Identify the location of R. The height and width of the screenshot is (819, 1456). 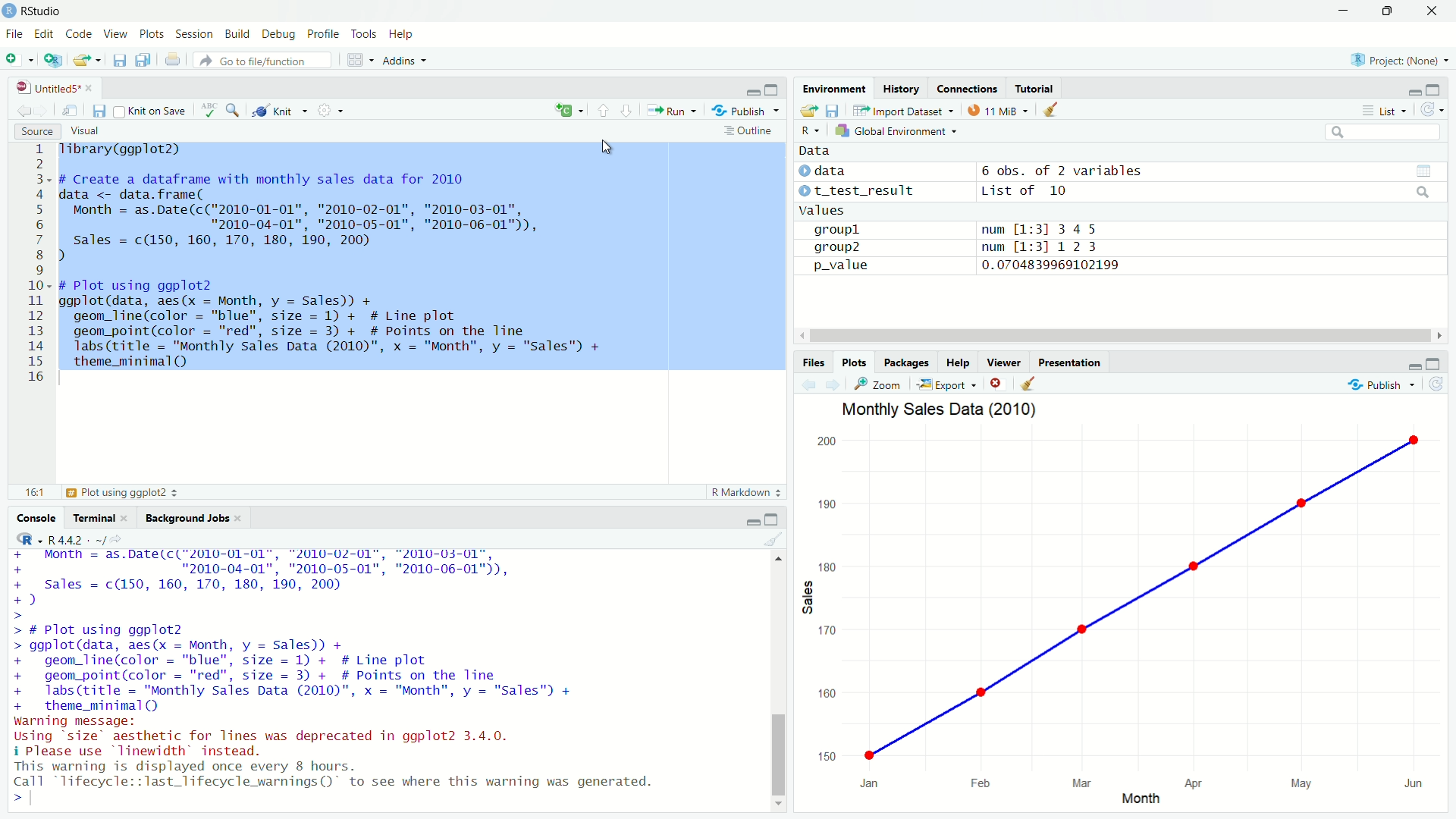
(805, 129).